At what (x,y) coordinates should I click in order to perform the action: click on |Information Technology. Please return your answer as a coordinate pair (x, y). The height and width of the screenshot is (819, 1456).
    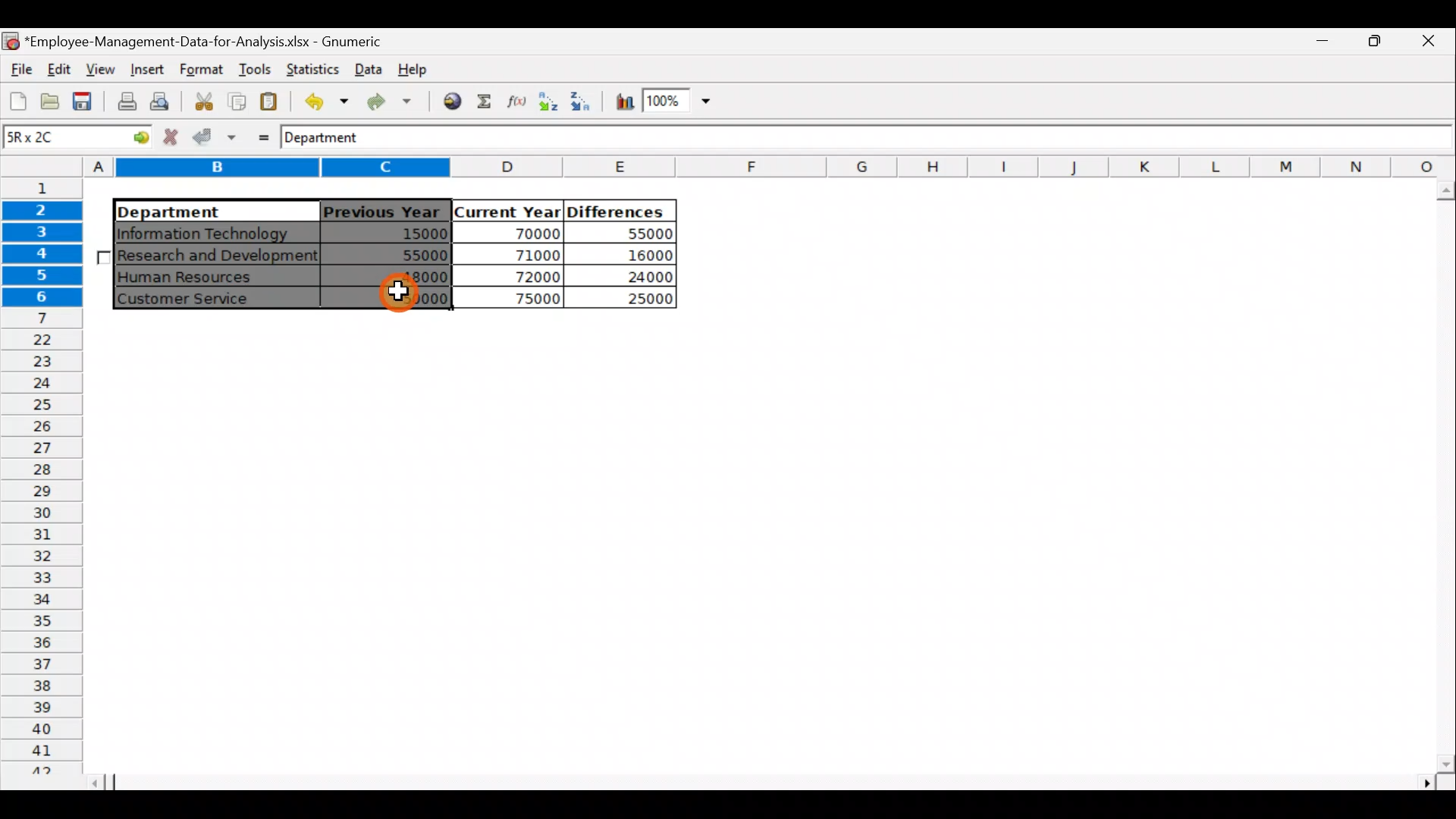
    Looking at the image, I should click on (215, 233).